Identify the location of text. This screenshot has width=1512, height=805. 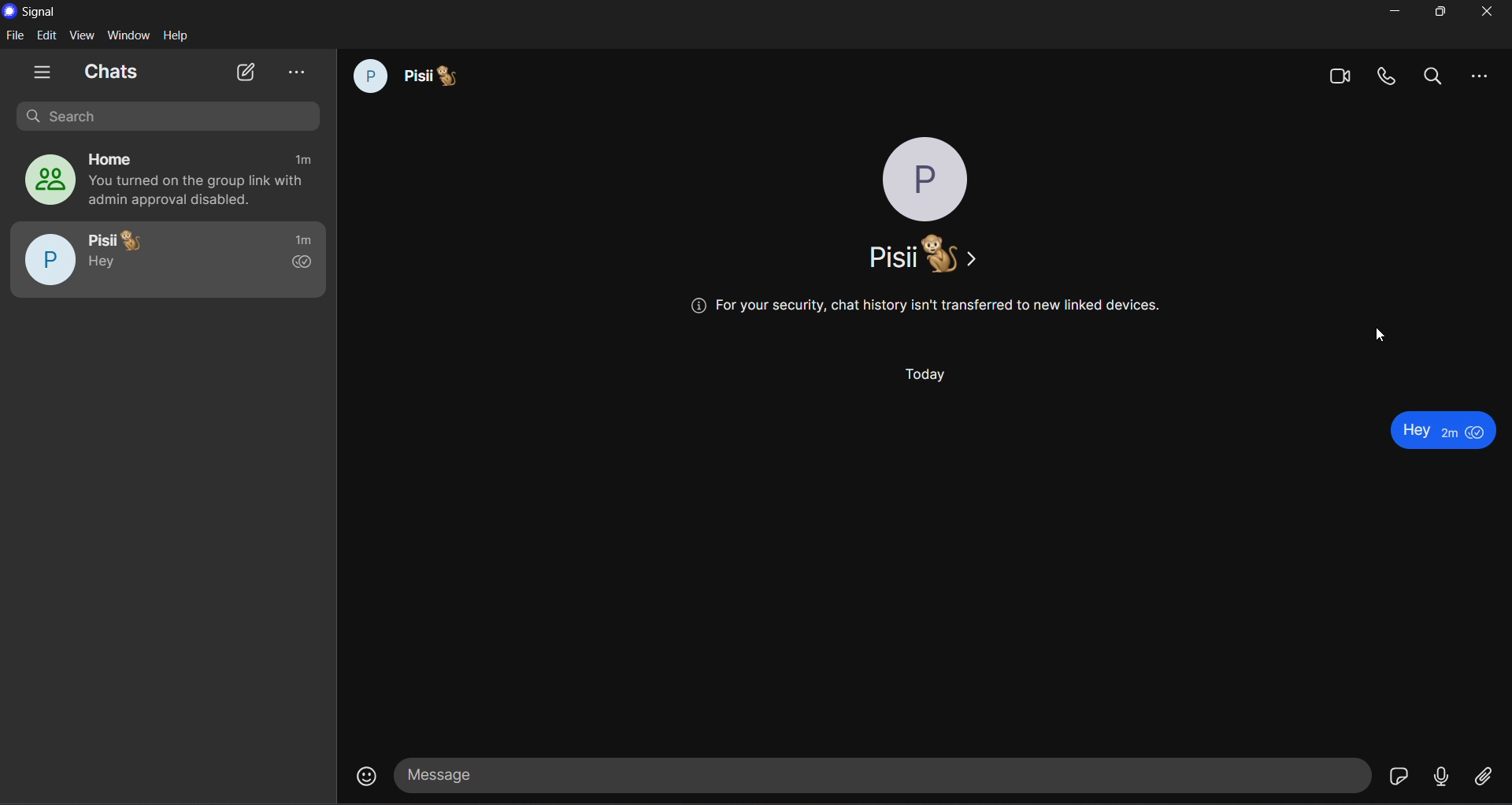
(1436, 425).